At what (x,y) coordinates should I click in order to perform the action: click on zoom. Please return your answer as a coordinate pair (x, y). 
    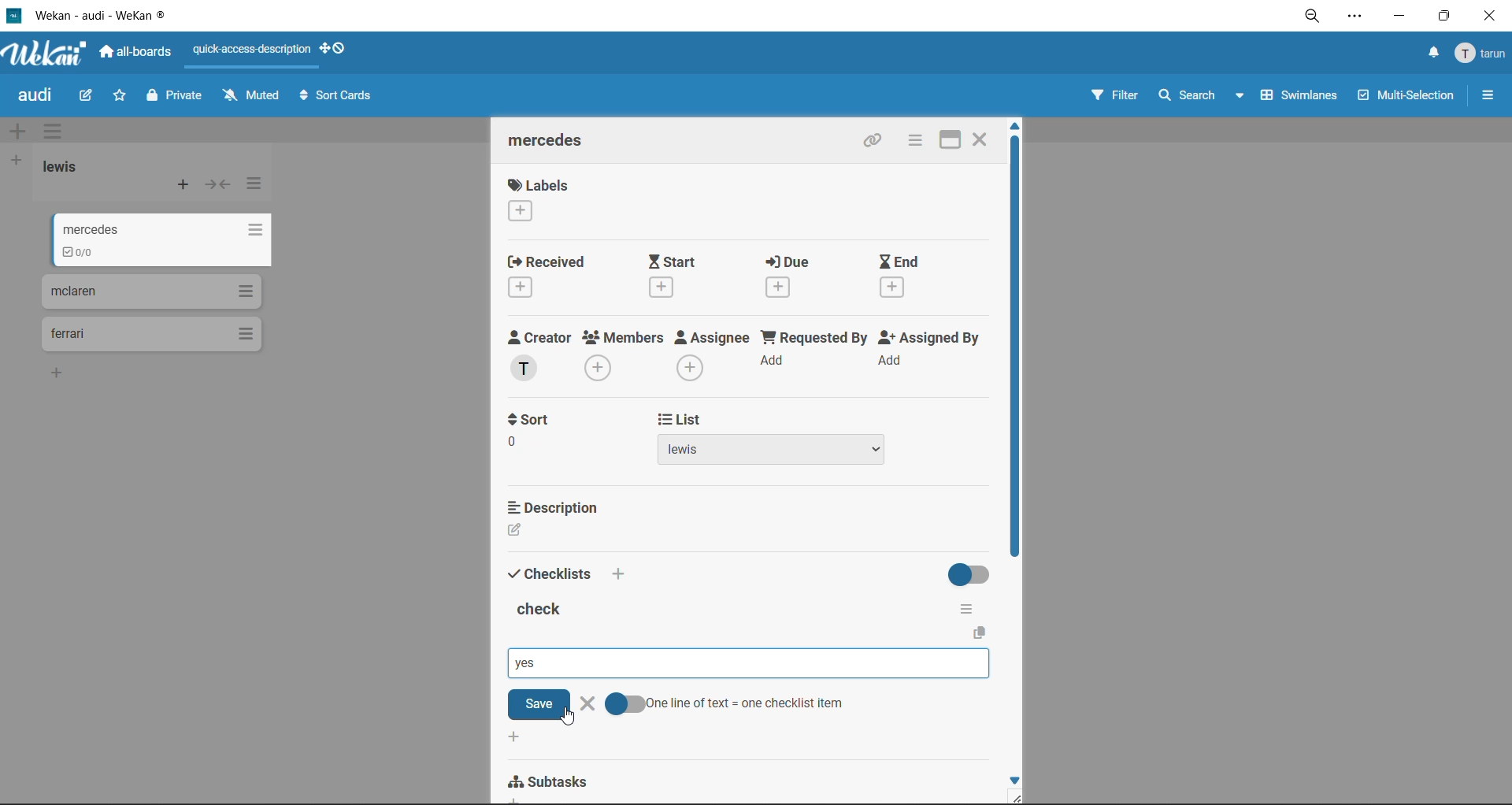
    Looking at the image, I should click on (1318, 20).